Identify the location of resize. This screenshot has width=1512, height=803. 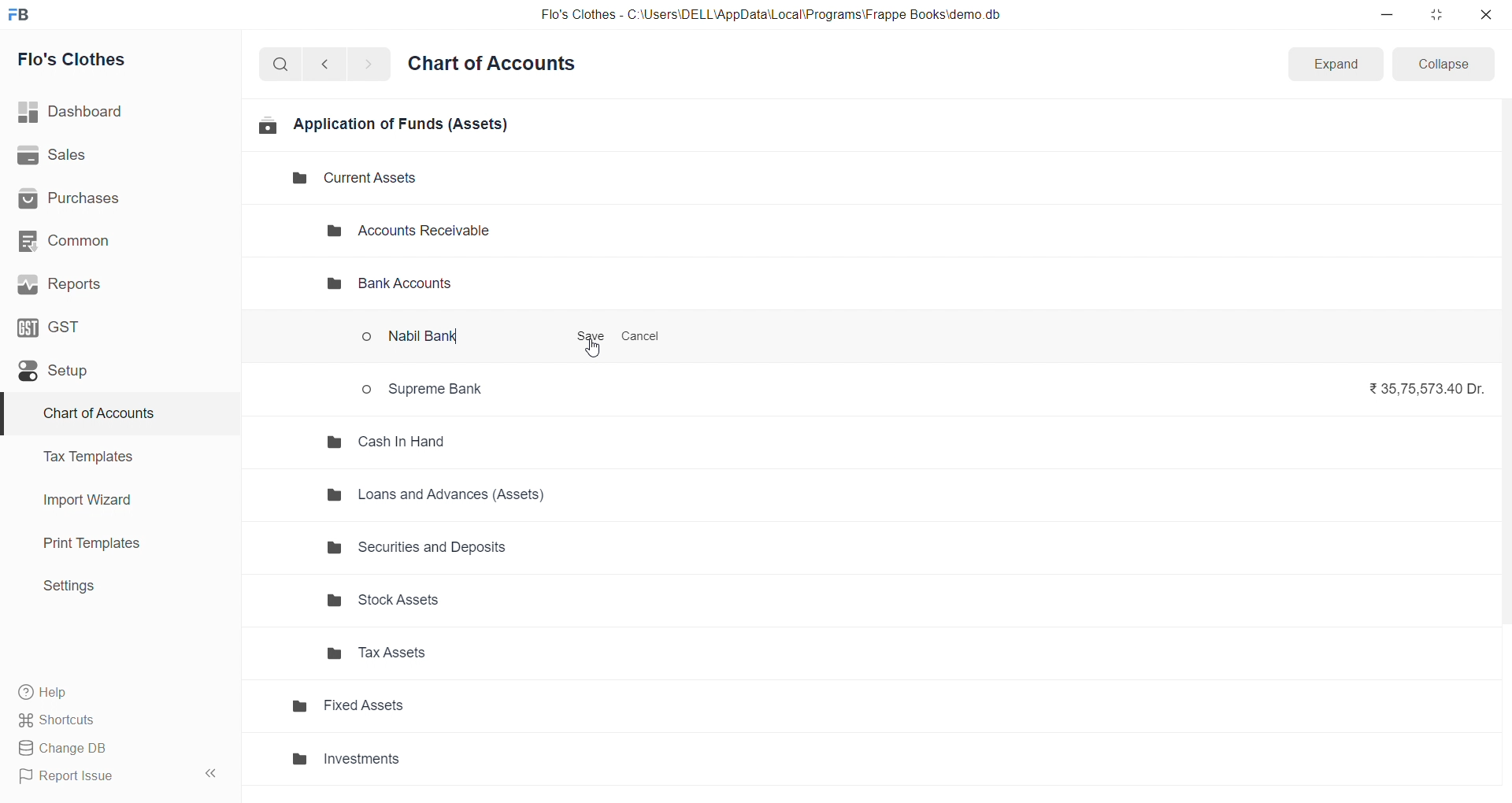
(1436, 14).